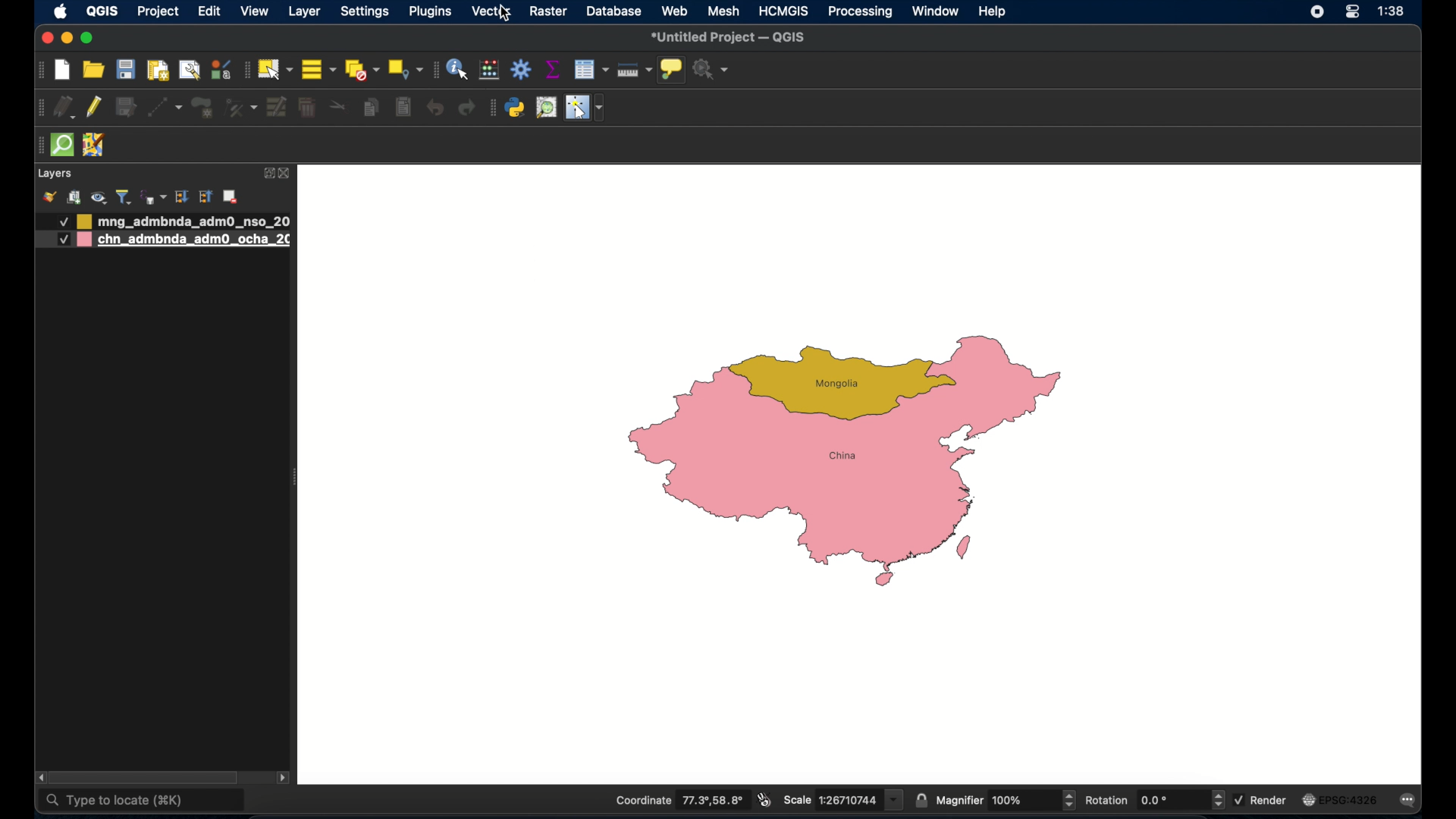 The height and width of the screenshot is (819, 1456). I want to click on close, so click(47, 39).